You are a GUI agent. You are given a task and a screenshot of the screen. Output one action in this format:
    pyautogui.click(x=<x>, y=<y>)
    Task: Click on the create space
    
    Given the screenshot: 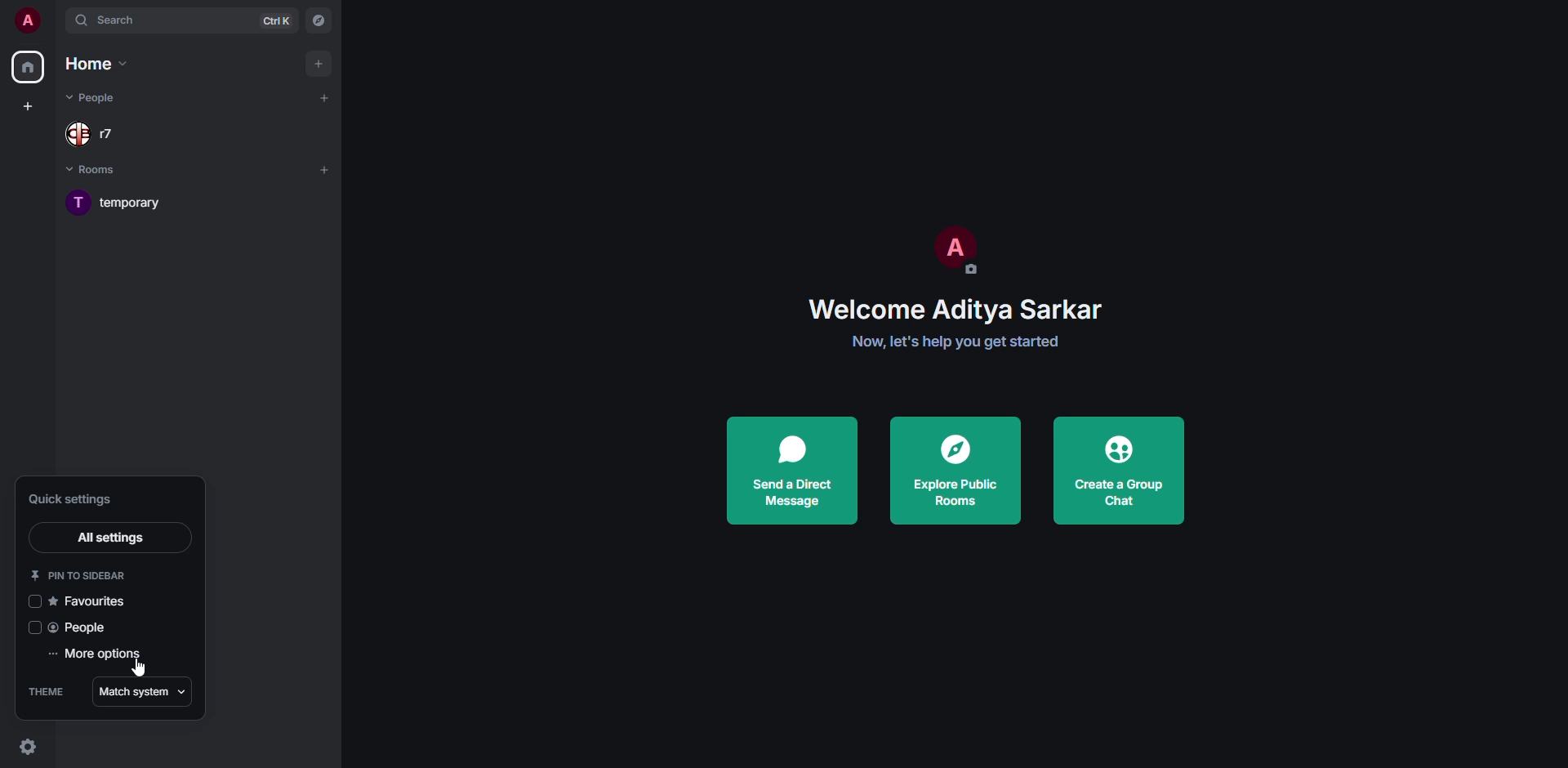 What is the action you would take?
    pyautogui.click(x=28, y=107)
    